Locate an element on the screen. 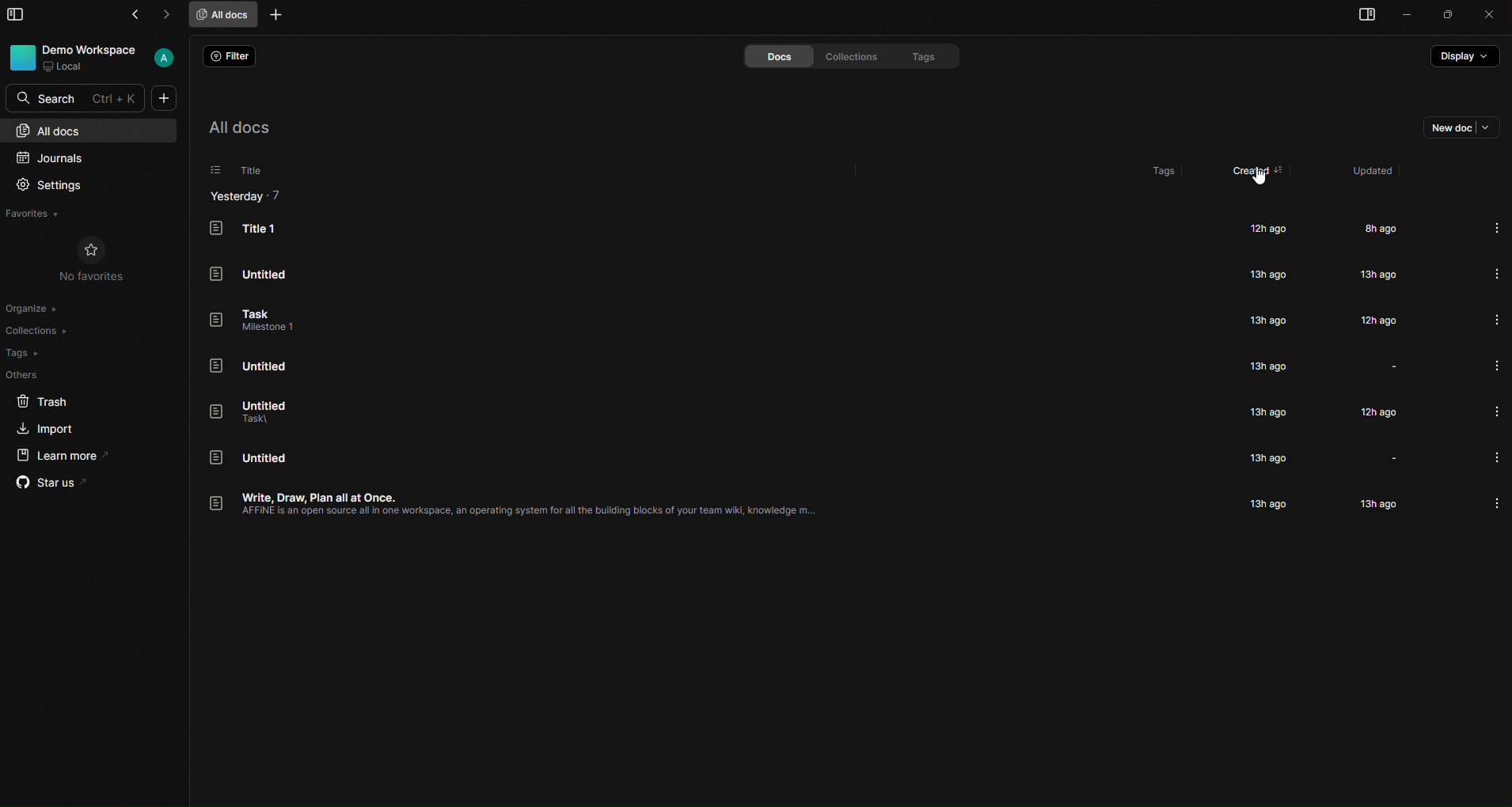   more info is located at coordinates (1500, 228).